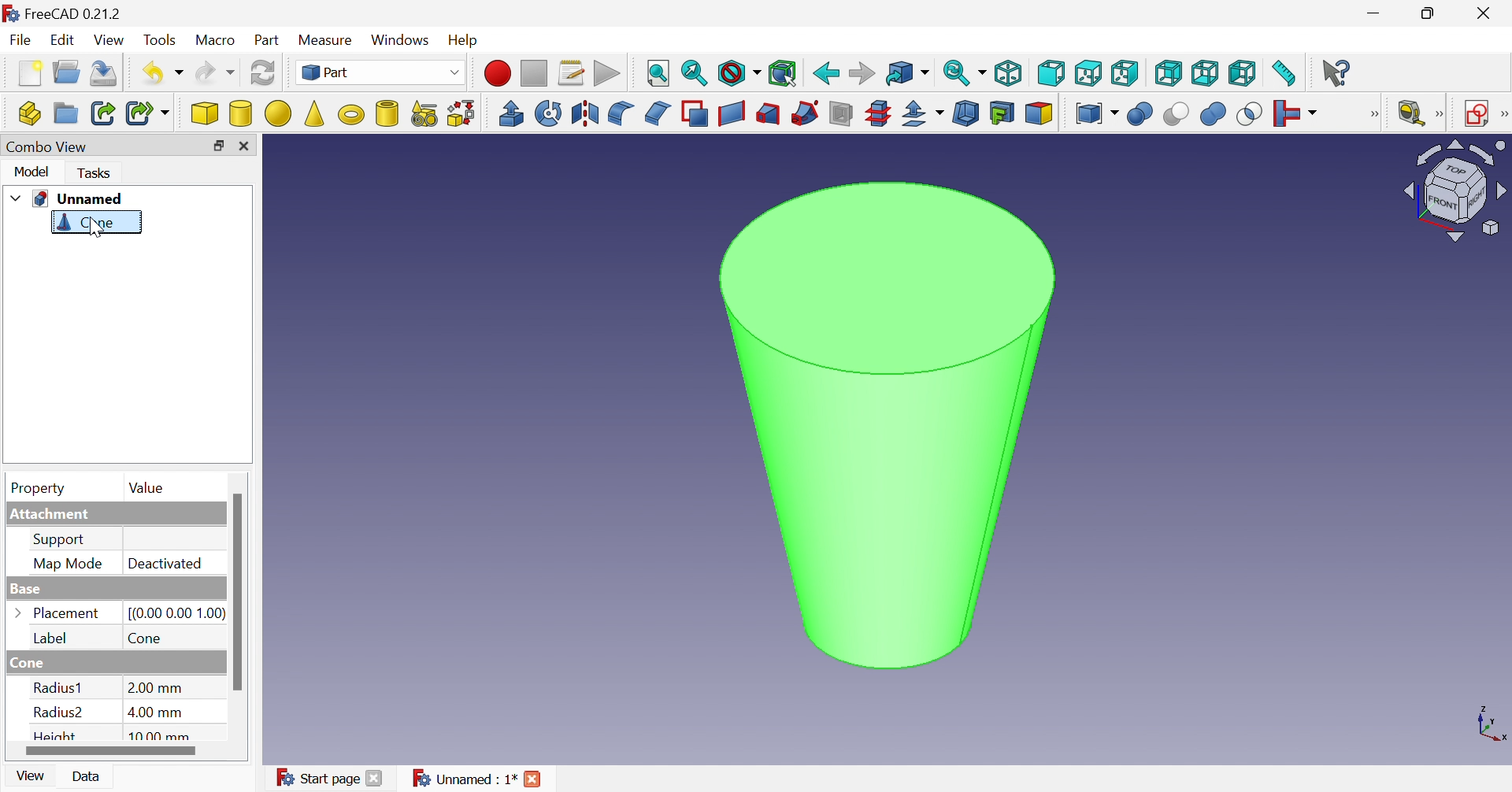 The width and height of the screenshot is (1512, 792). Describe the element at coordinates (56, 713) in the screenshot. I see `Radius2` at that location.